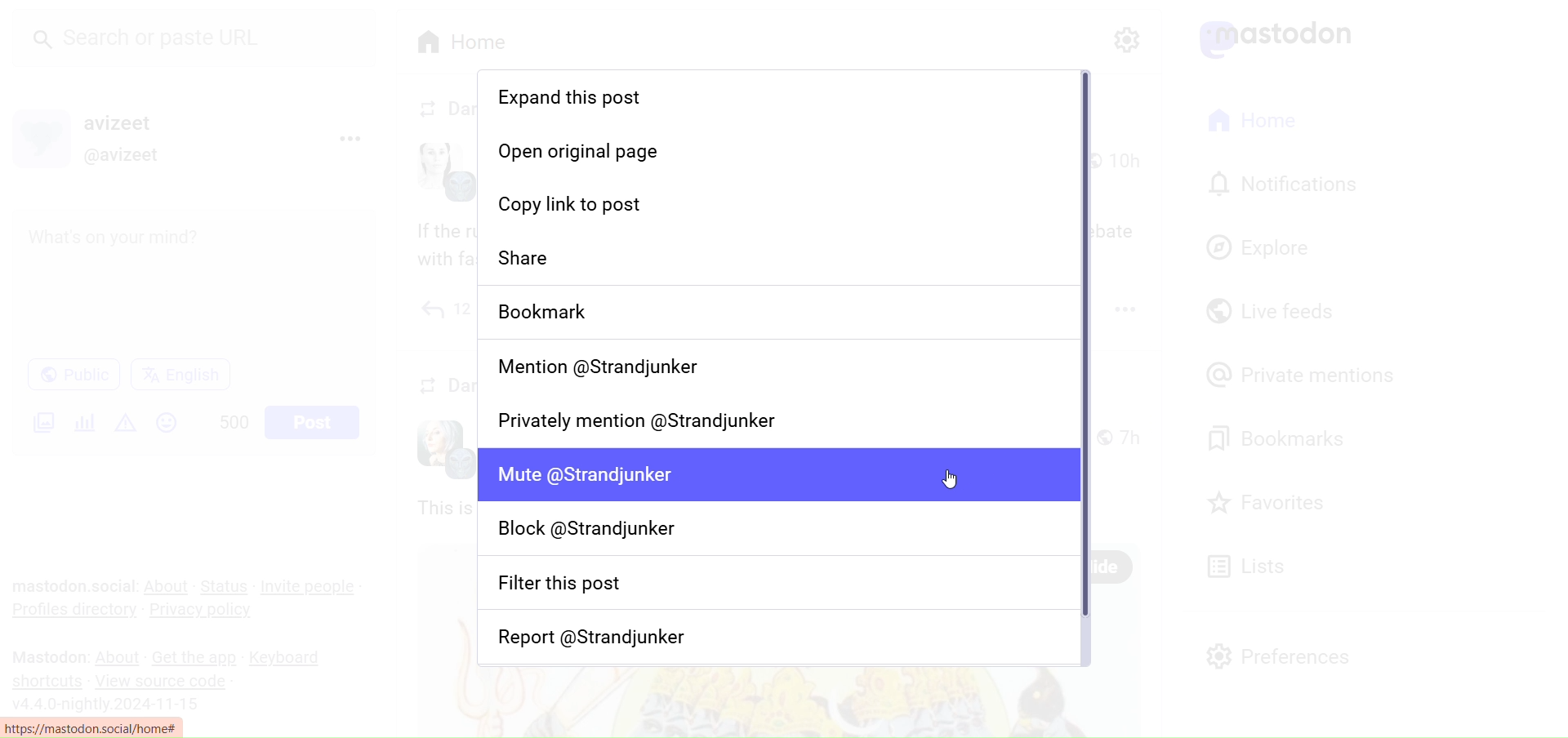 This screenshot has height=738, width=1568. I want to click on Bookmark, so click(779, 313).